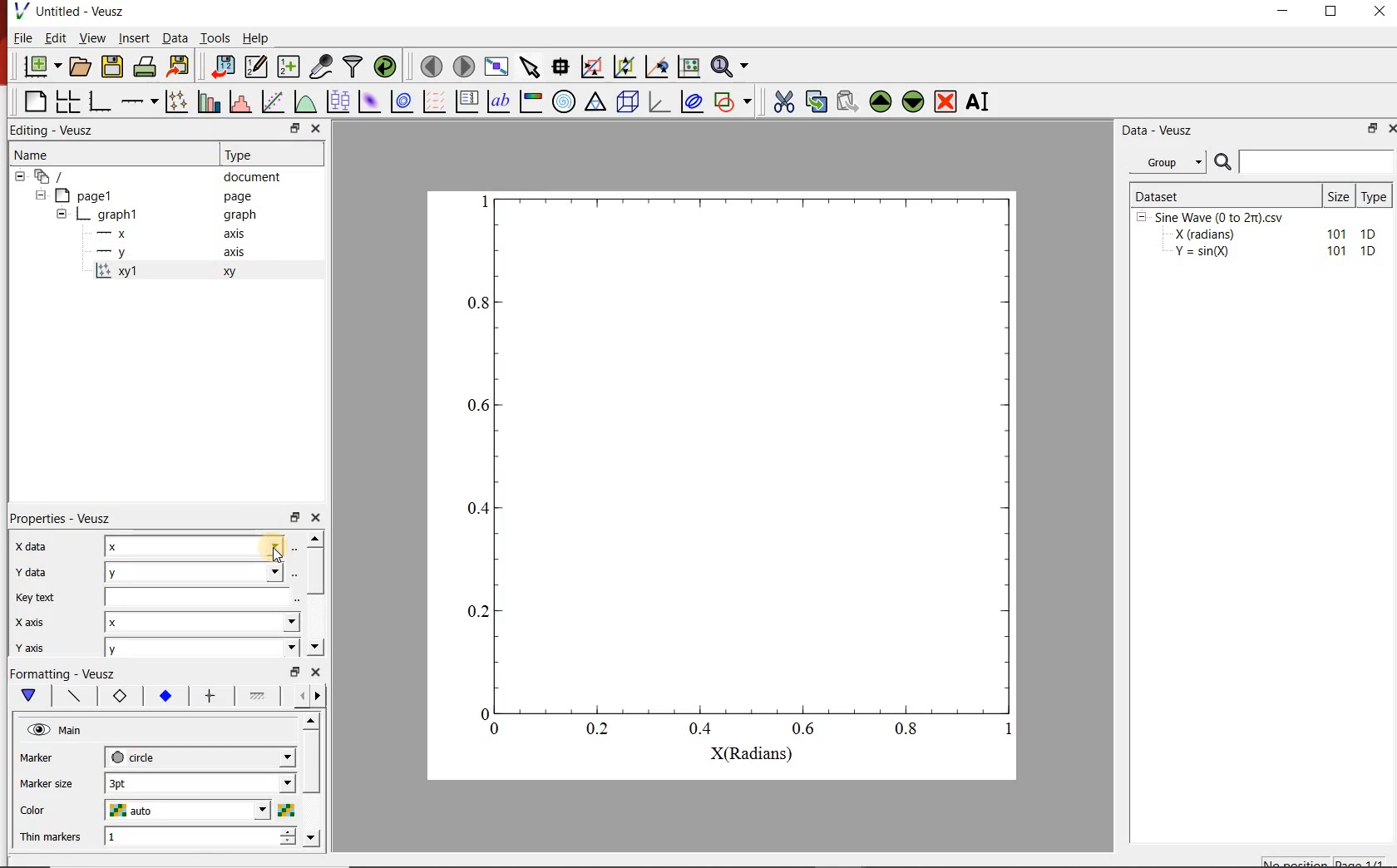  What do you see at coordinates (112, 67) in the screenshot?
I see `save document` at bounding box center [112, 67].